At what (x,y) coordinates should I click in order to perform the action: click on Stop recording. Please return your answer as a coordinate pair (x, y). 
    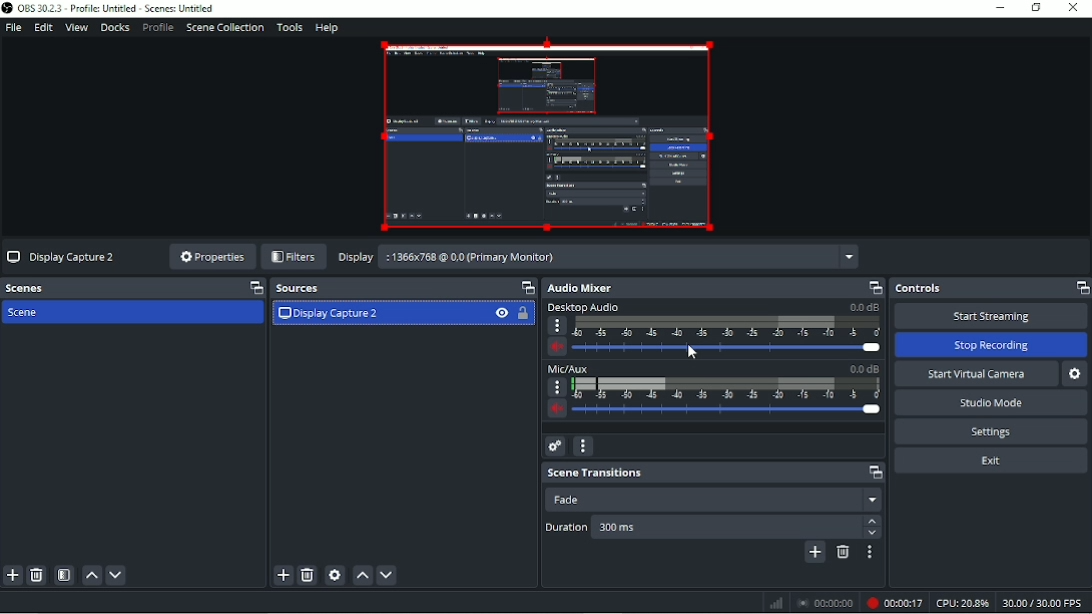
    Looking at the image, I should click on (990, 345).